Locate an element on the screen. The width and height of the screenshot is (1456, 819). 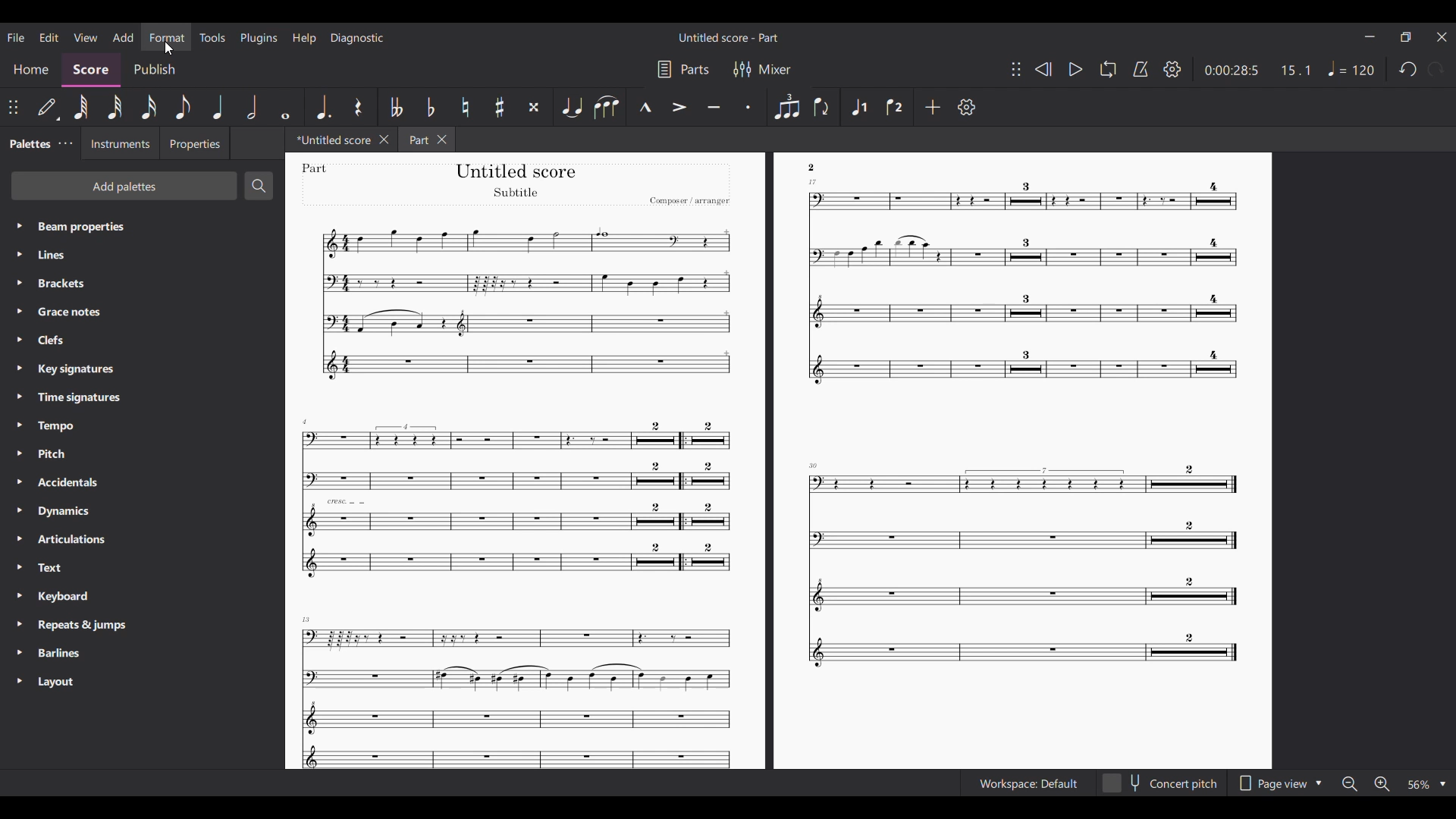
Format menu is located at coordinates (166, 36).